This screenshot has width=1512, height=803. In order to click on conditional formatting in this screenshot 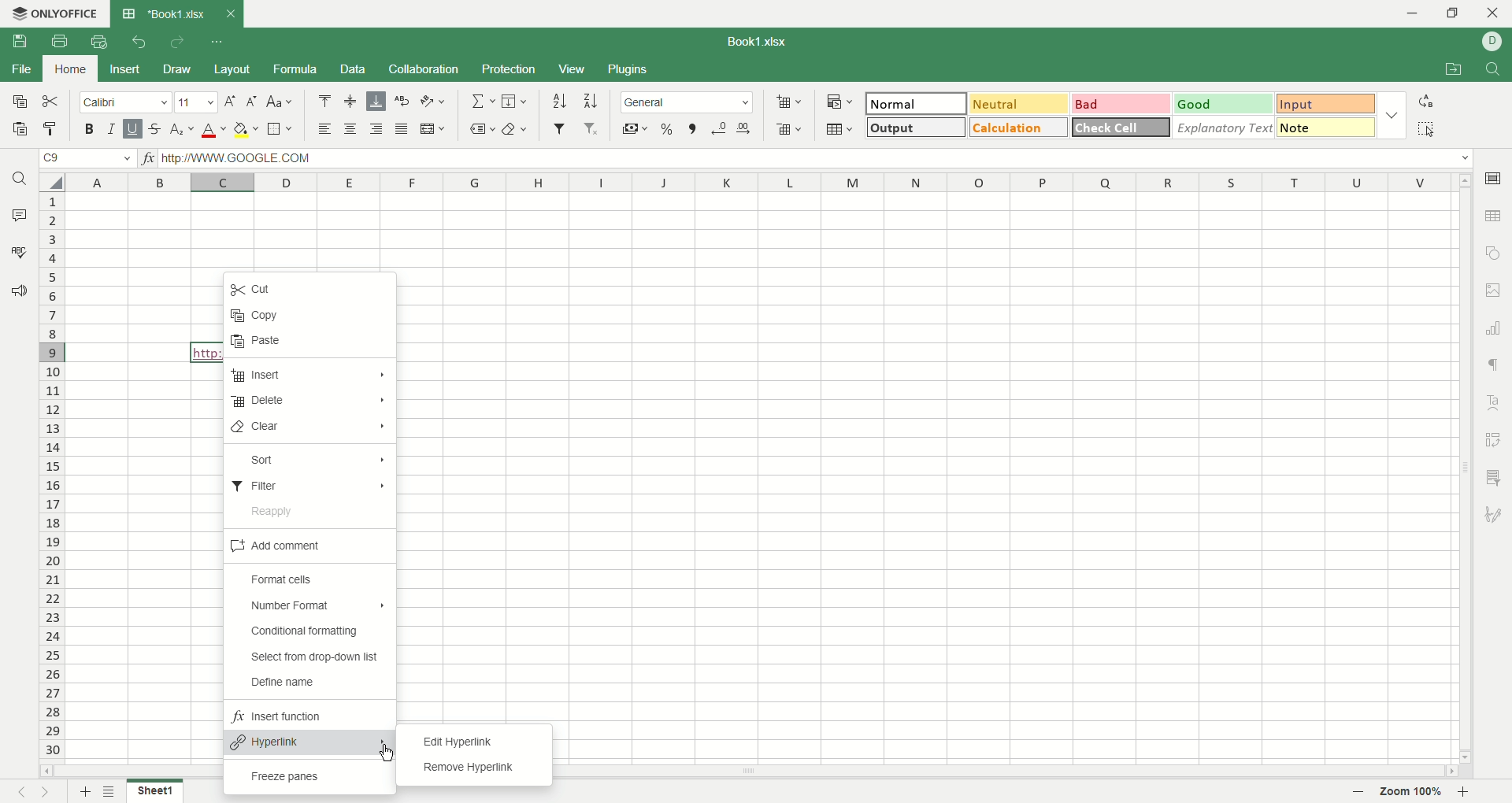, I will do `click(301, 630)`.